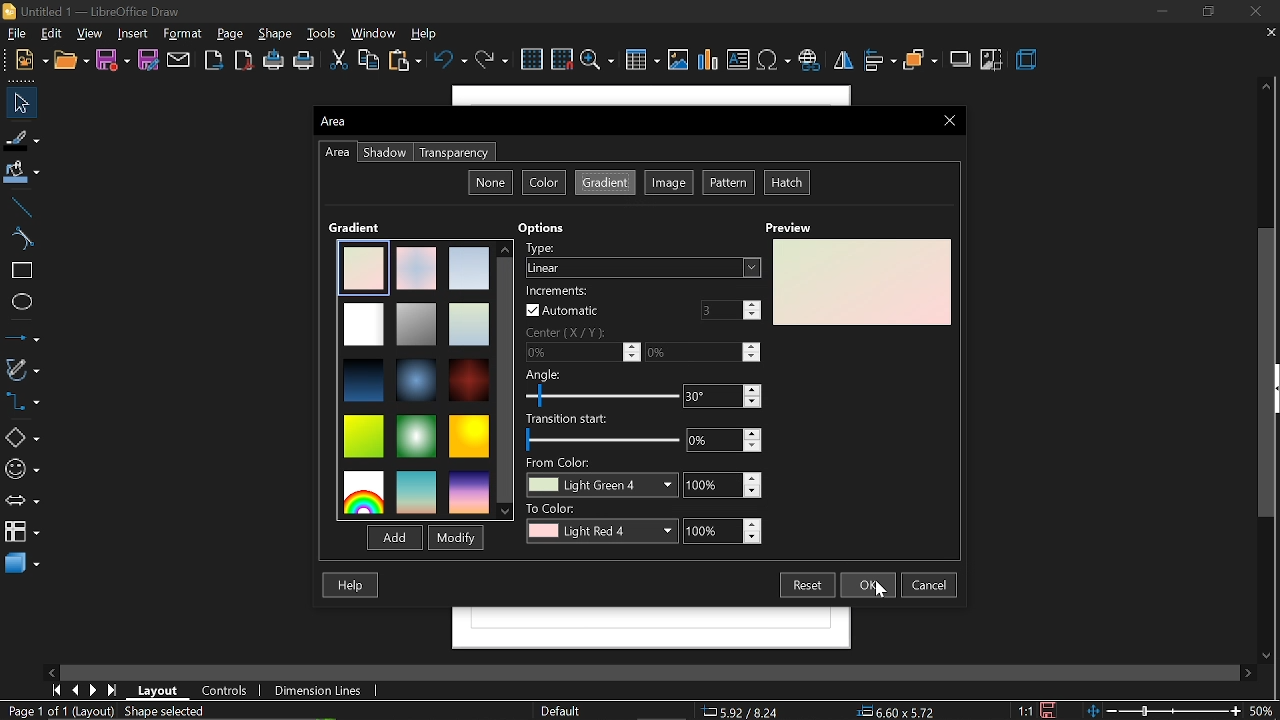  I want to click on Area, so click(354, 121).